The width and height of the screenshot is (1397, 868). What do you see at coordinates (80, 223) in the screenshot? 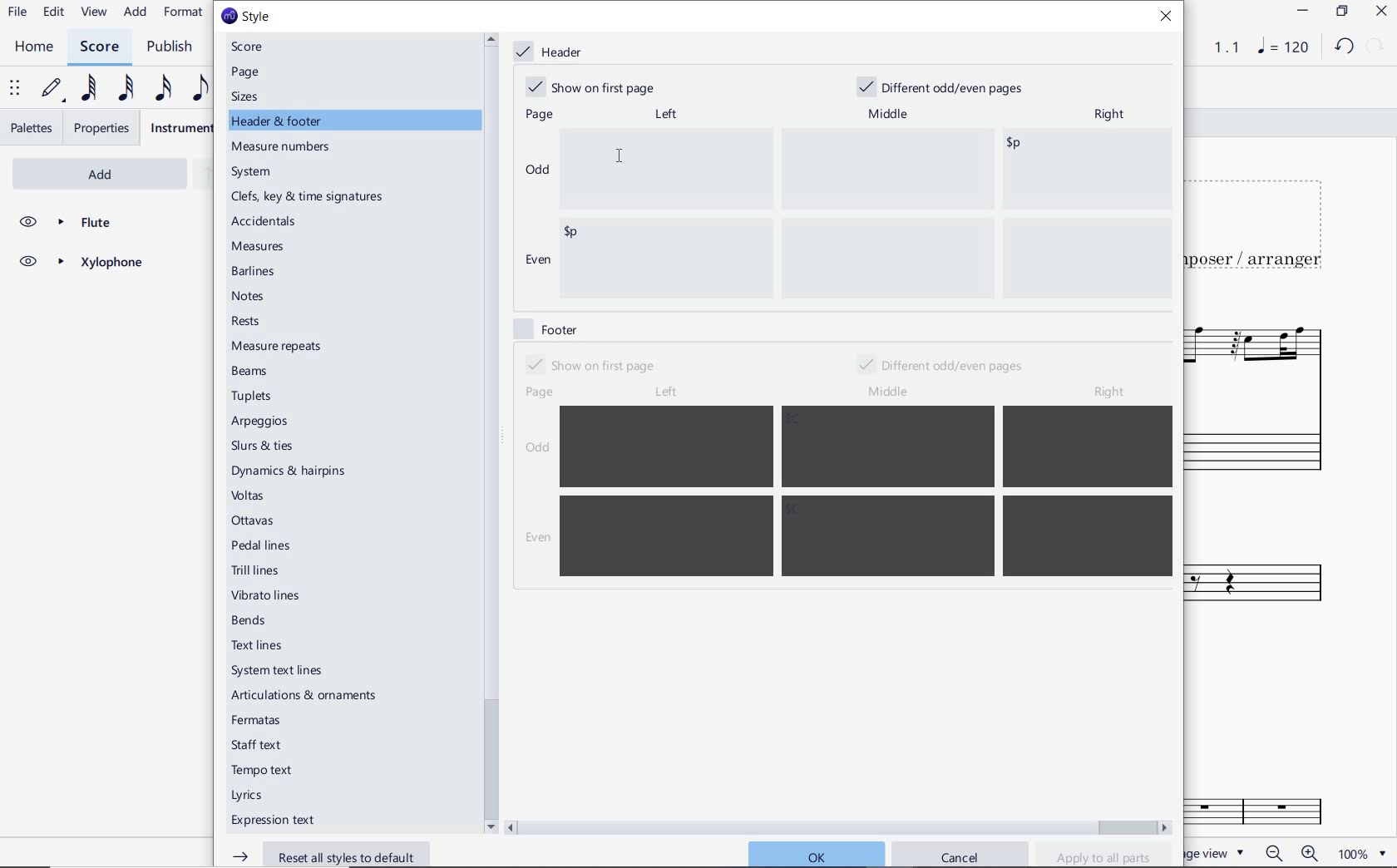
I see `FLUTE` at bounding box center [80, 223].